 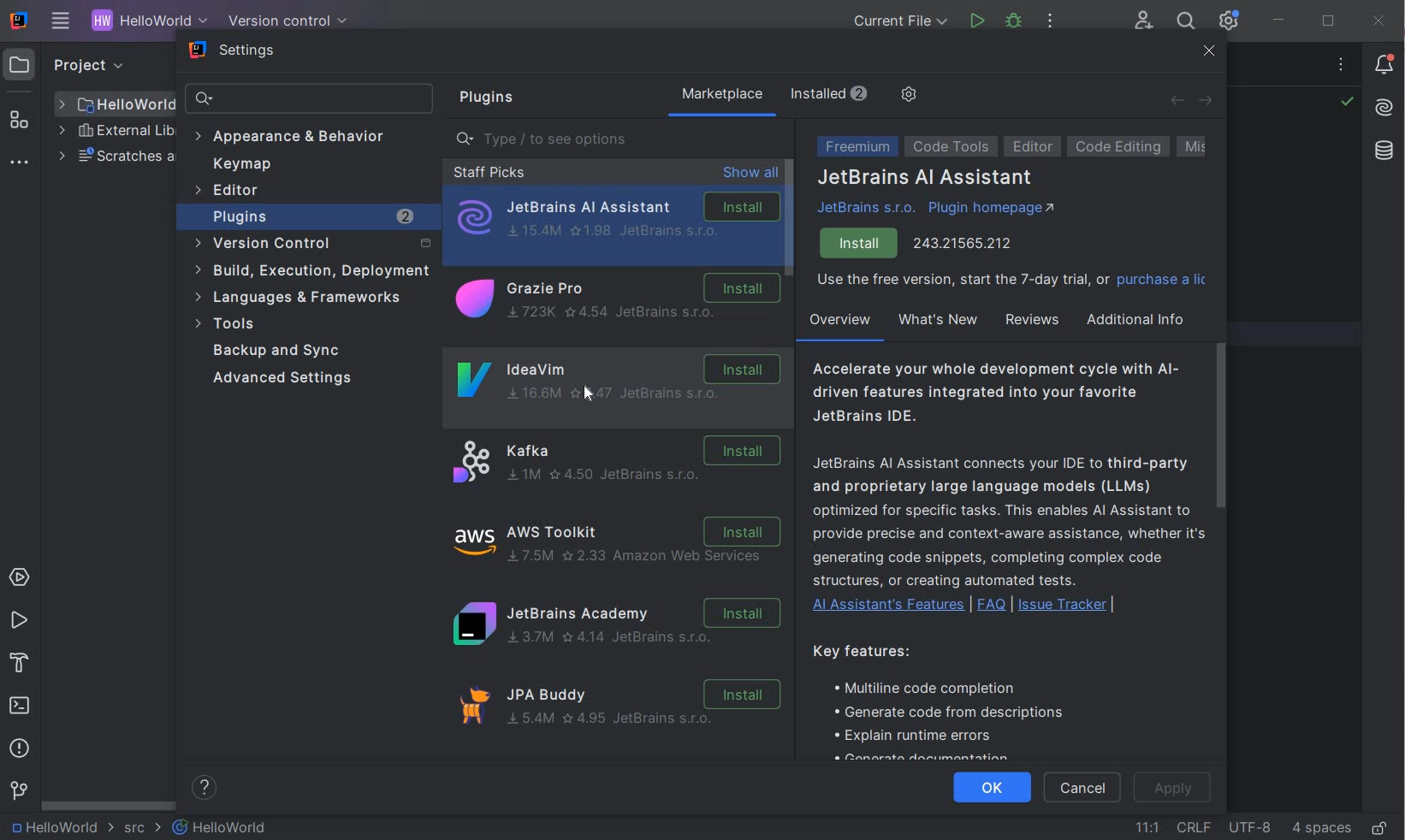 I want to click on GO TO LINE, so click(x=1147, y=825).